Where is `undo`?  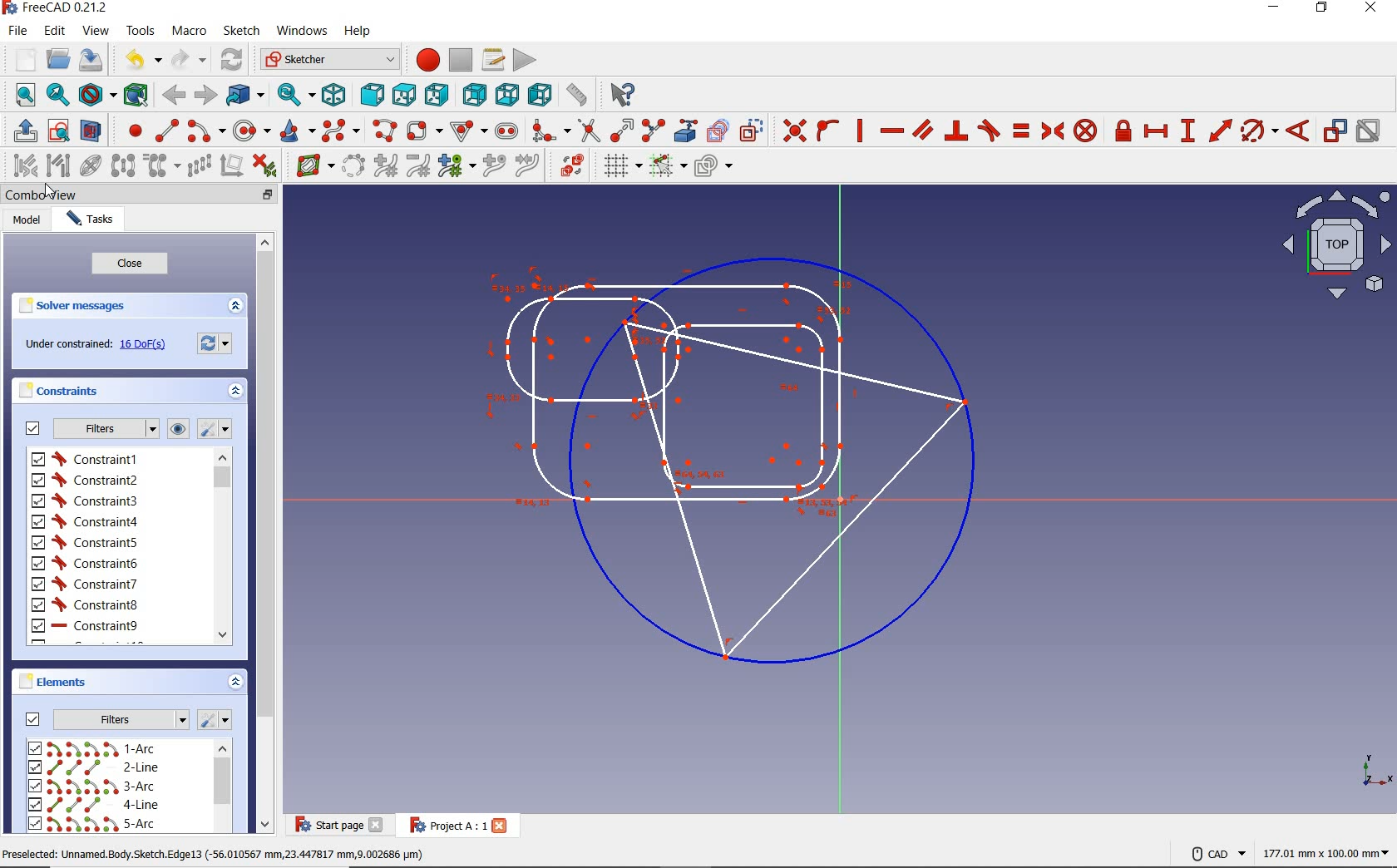
undo is located at coordinates (141, 60).